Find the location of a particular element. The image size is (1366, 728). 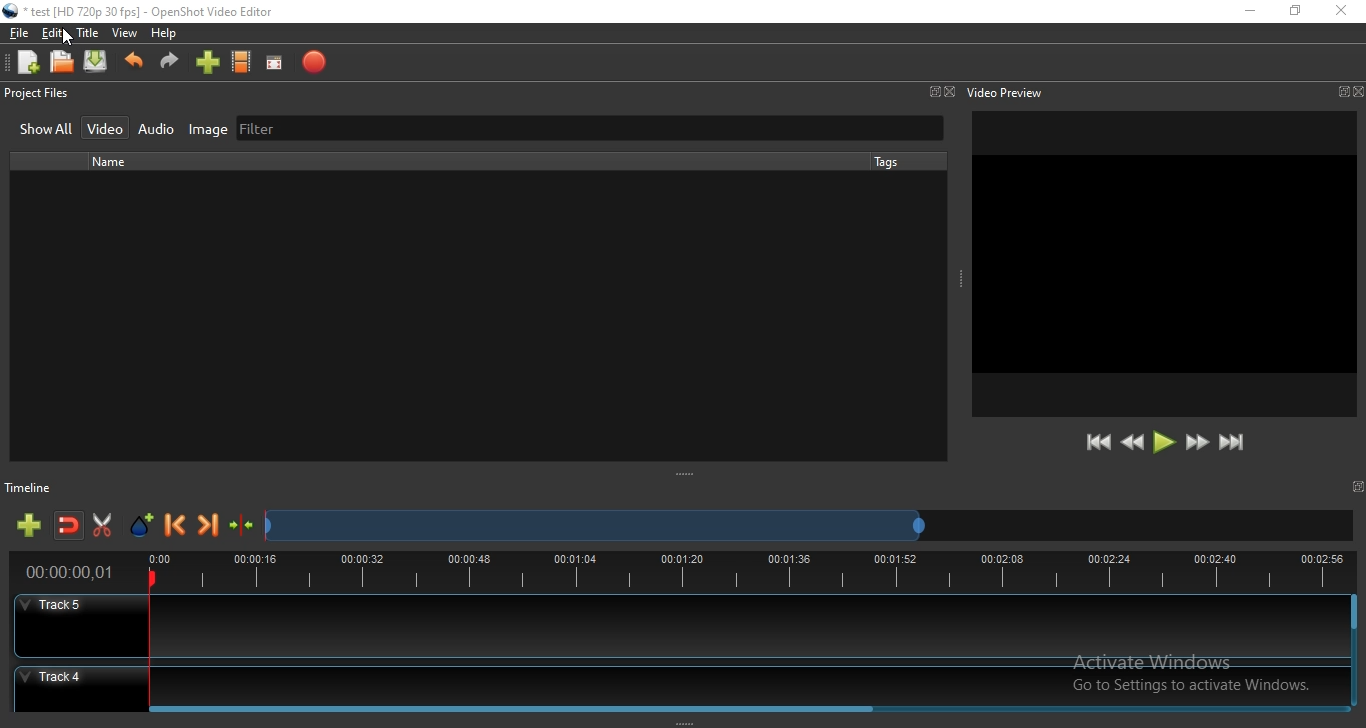

Previous marker is located at coordinates (176, 527).